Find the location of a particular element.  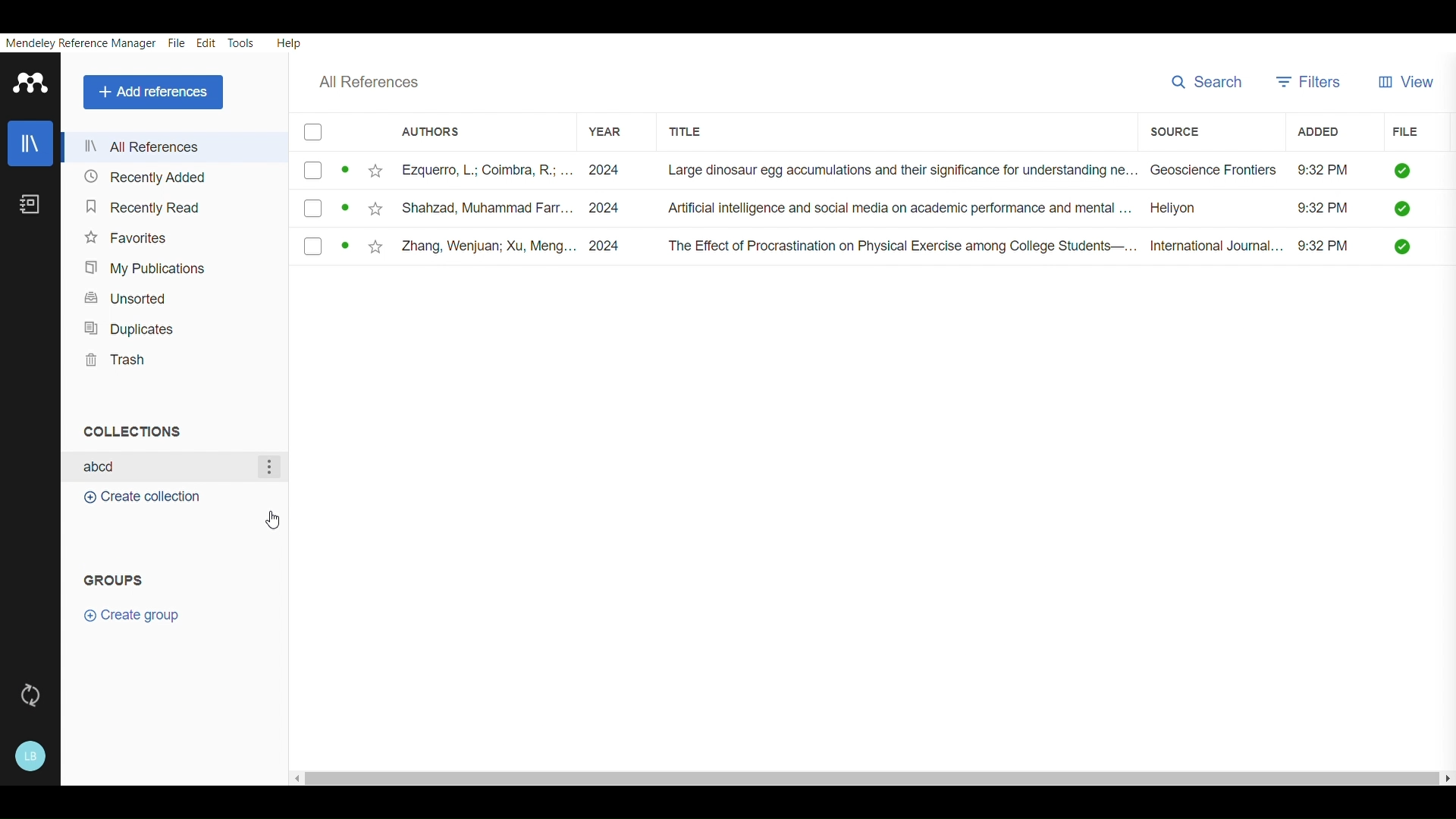

Sync is located at coordinates (30, 697).